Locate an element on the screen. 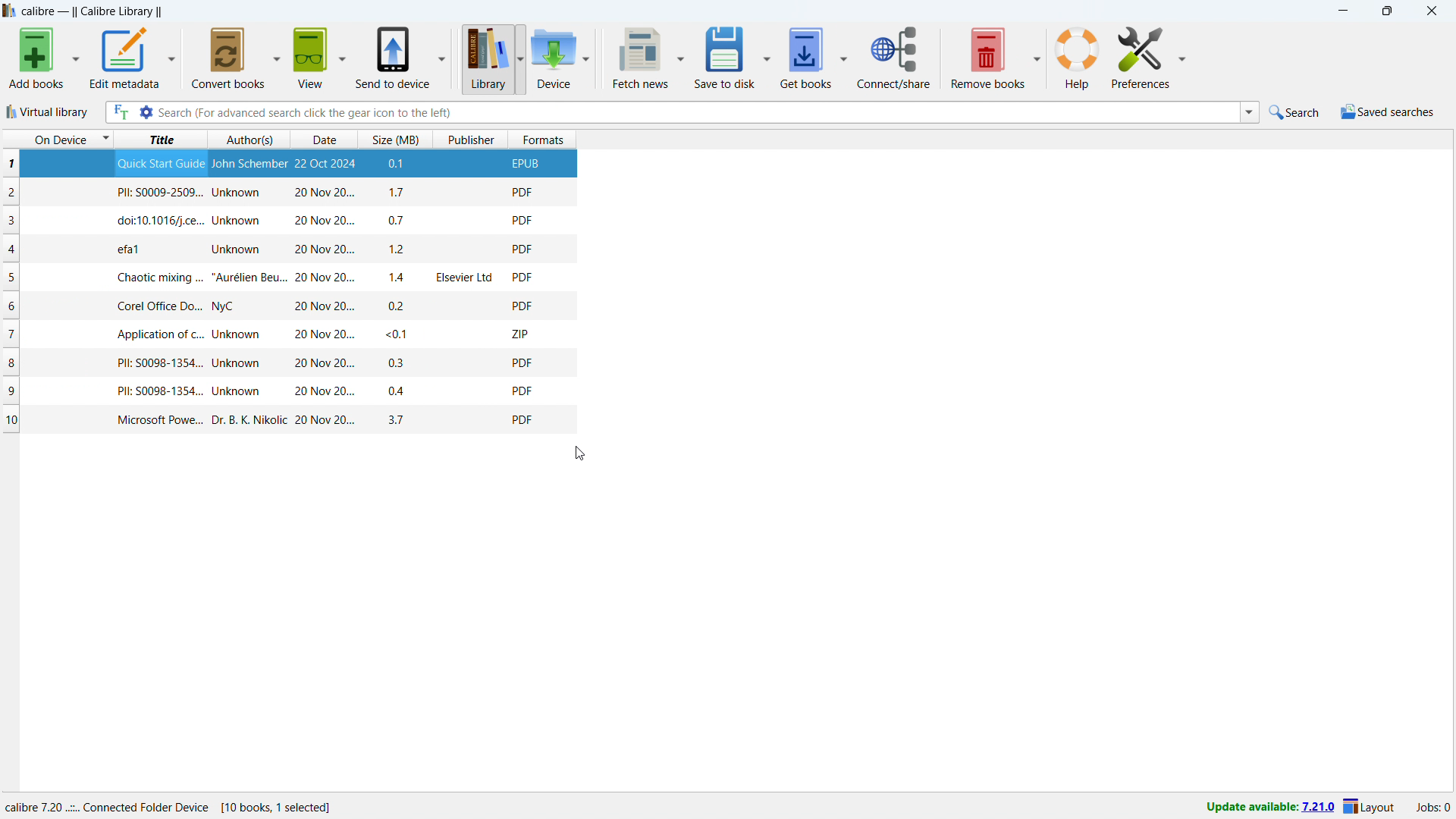  saved searches is located at coordinates (1388, 111).